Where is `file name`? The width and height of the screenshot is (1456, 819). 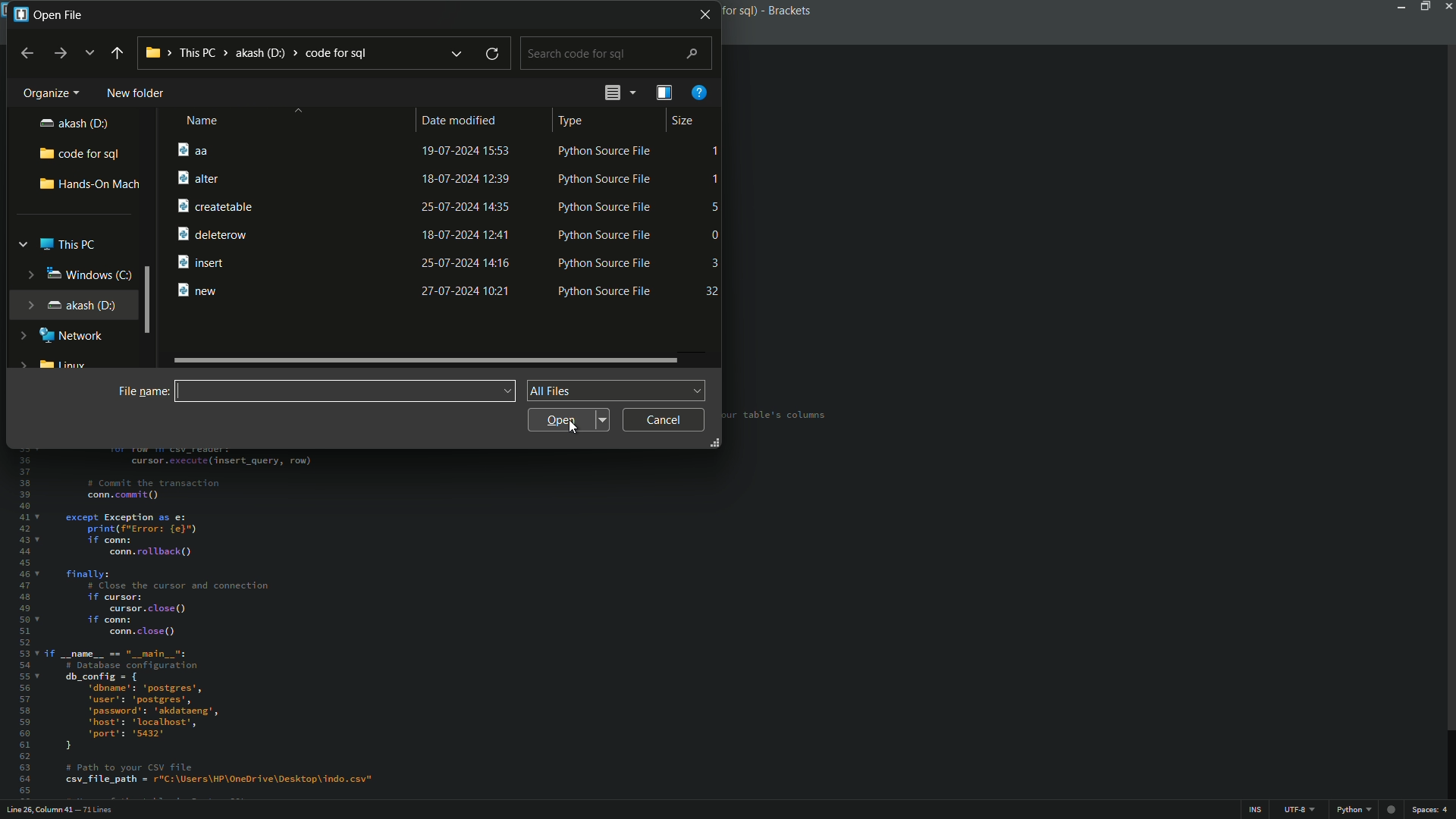
file name is located at coordinates (141, 391).